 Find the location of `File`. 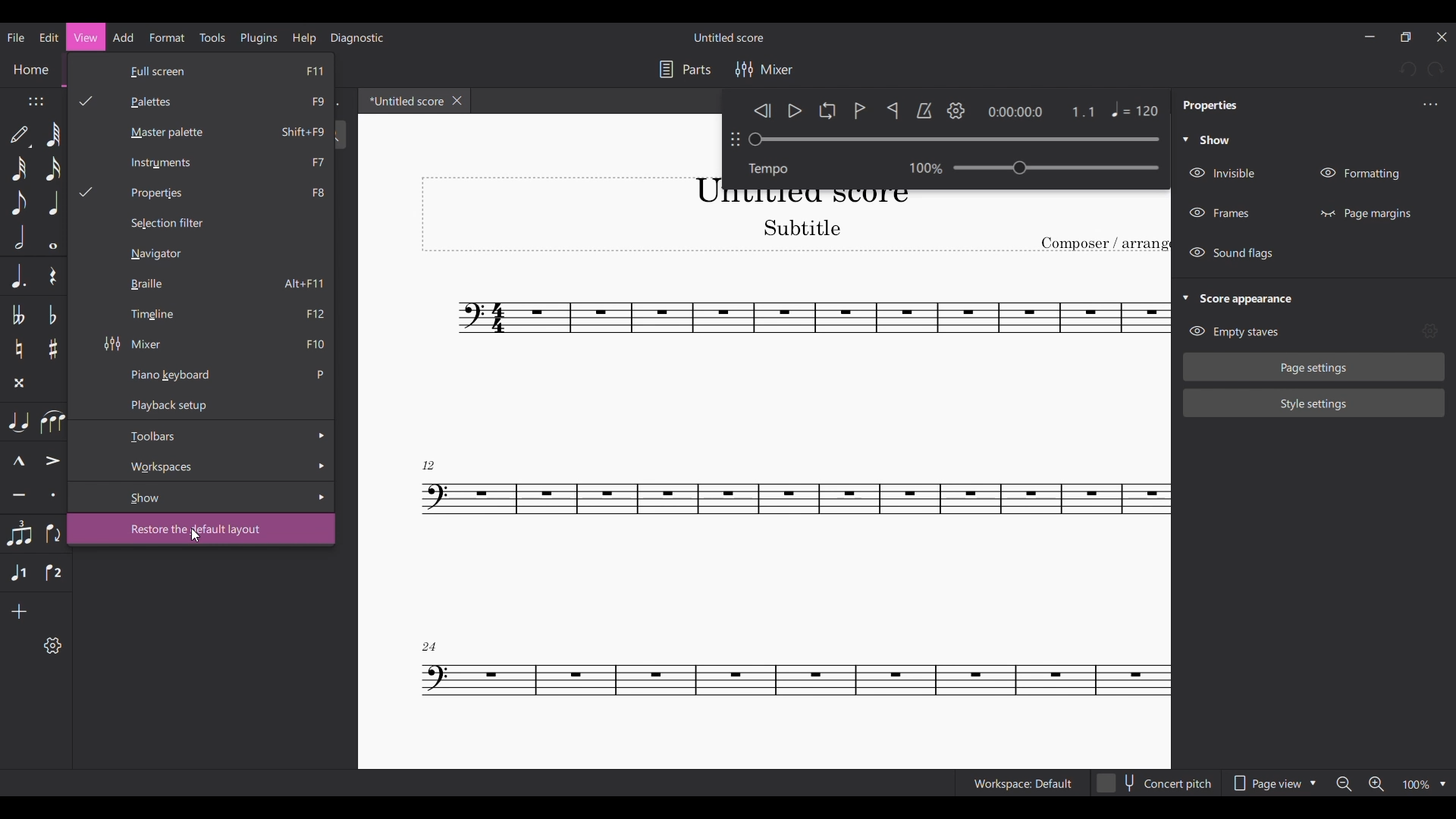

File is located at coordinates (17, 38).